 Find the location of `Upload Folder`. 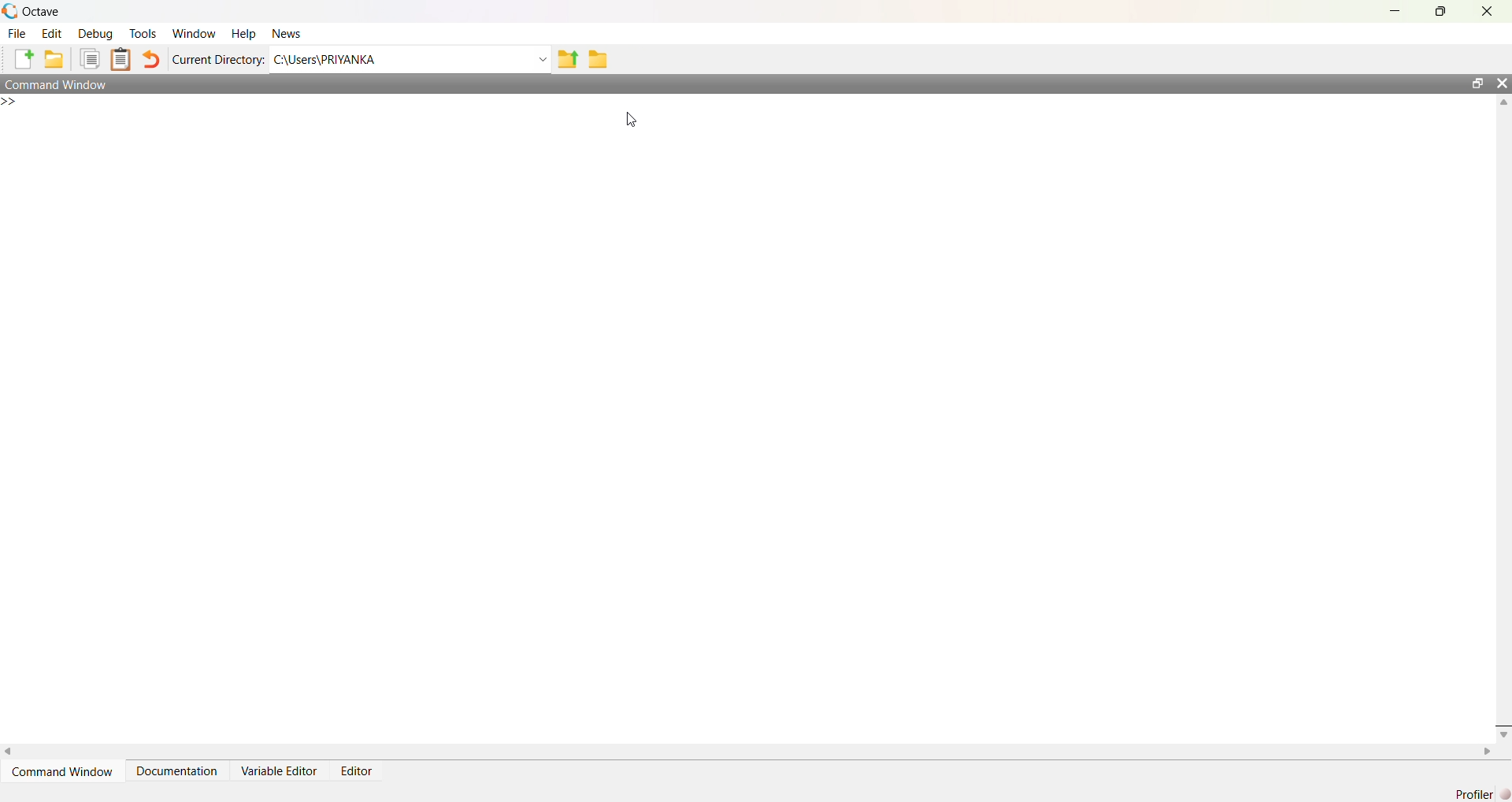

Upload Folder is located at coordinates (569, 60).